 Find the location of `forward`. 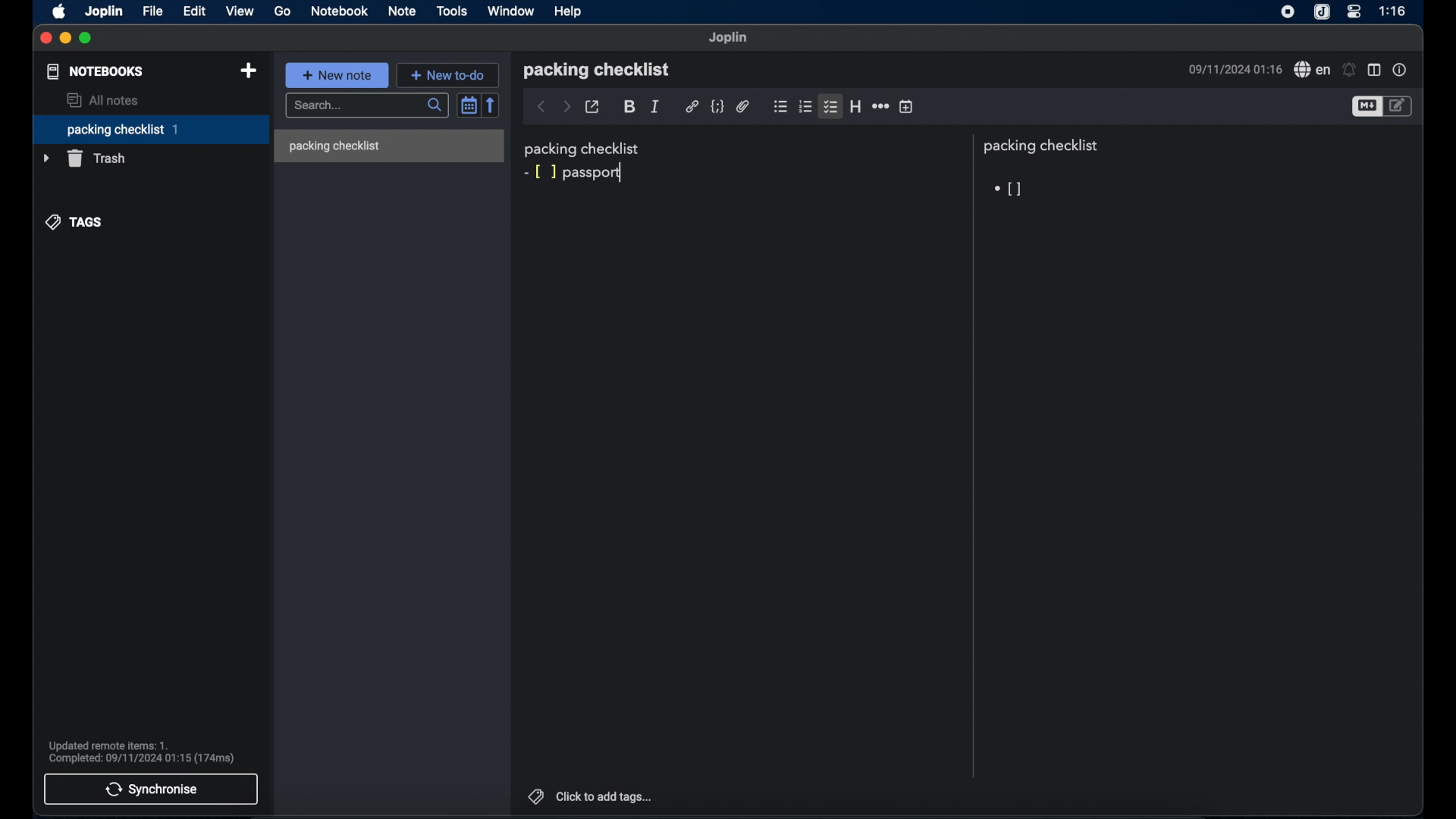

forward is located at coordinates (566, 106).